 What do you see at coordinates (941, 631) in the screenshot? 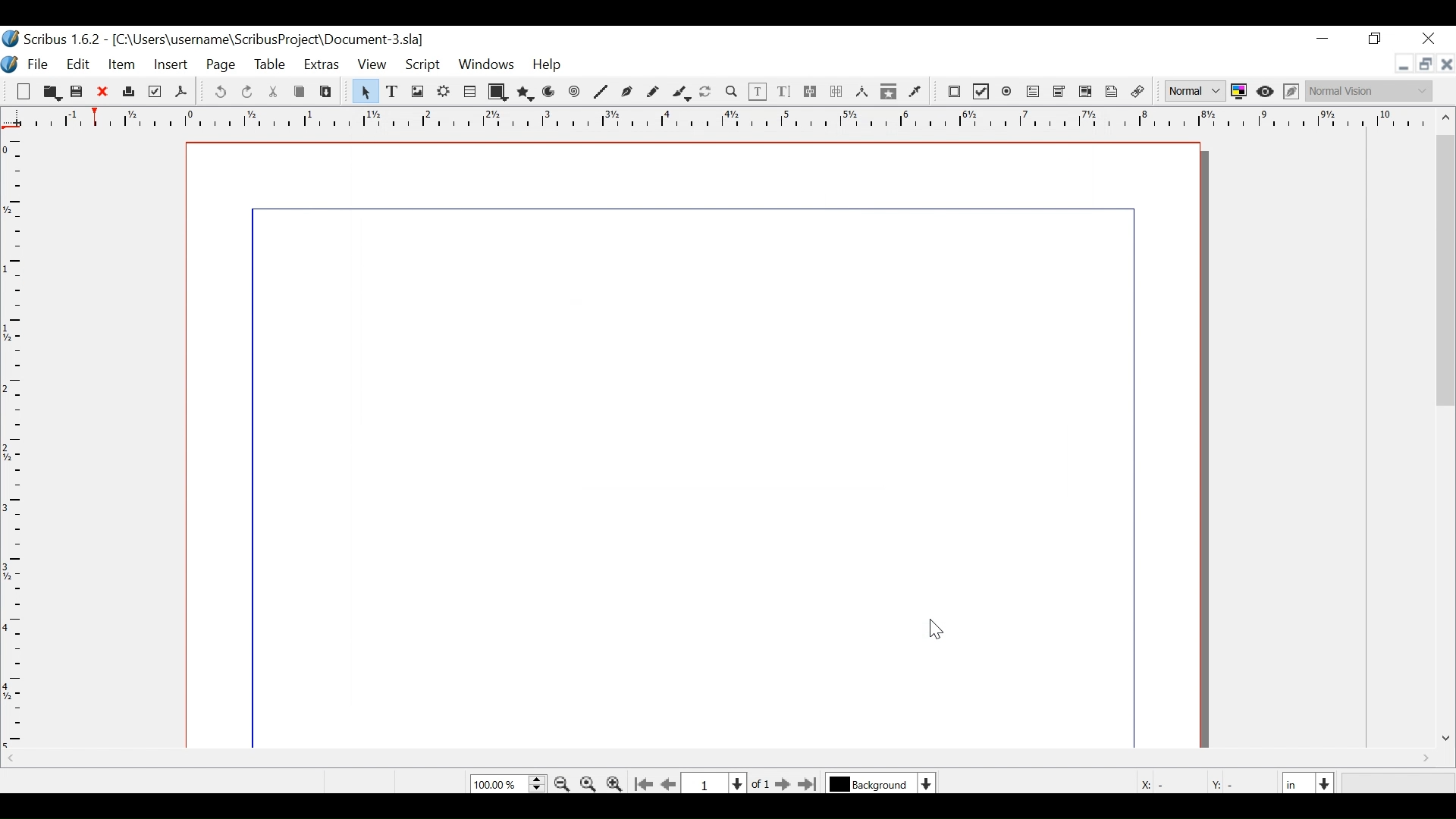
I see `cursor` at bounding box center [941, 631].